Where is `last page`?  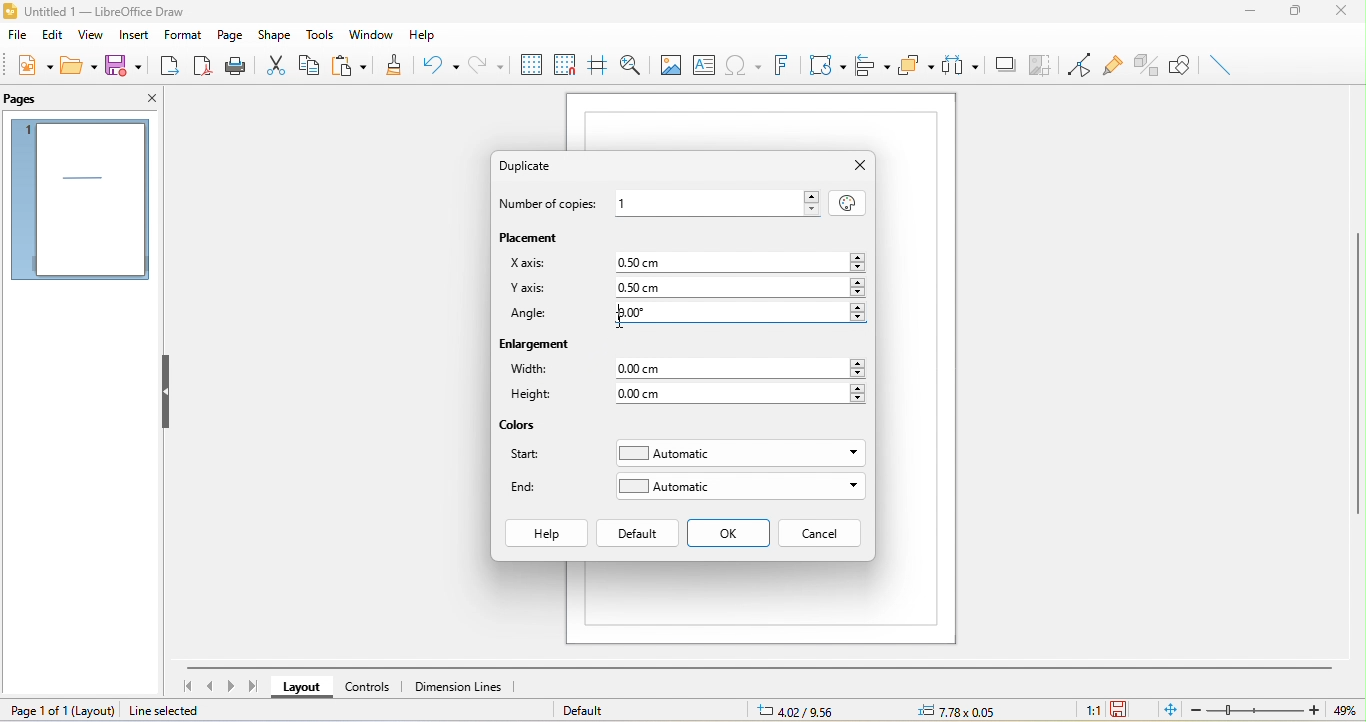 last page is located at coordinates (255, 686).